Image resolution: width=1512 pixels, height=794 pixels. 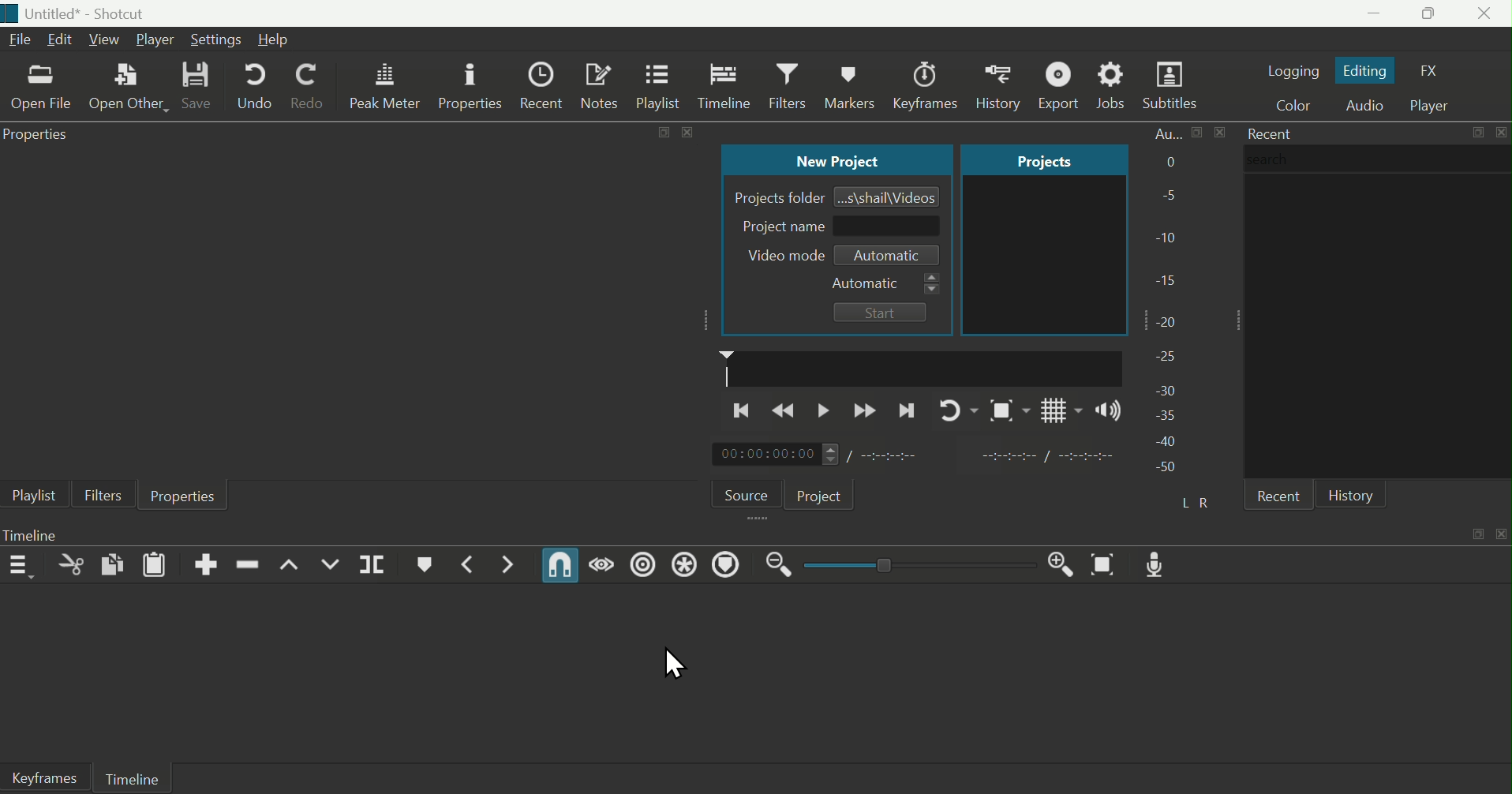 What do you see at coordinates (69, 566) in the screenshot?
I see `Cut` at bounding box center [69, 566].